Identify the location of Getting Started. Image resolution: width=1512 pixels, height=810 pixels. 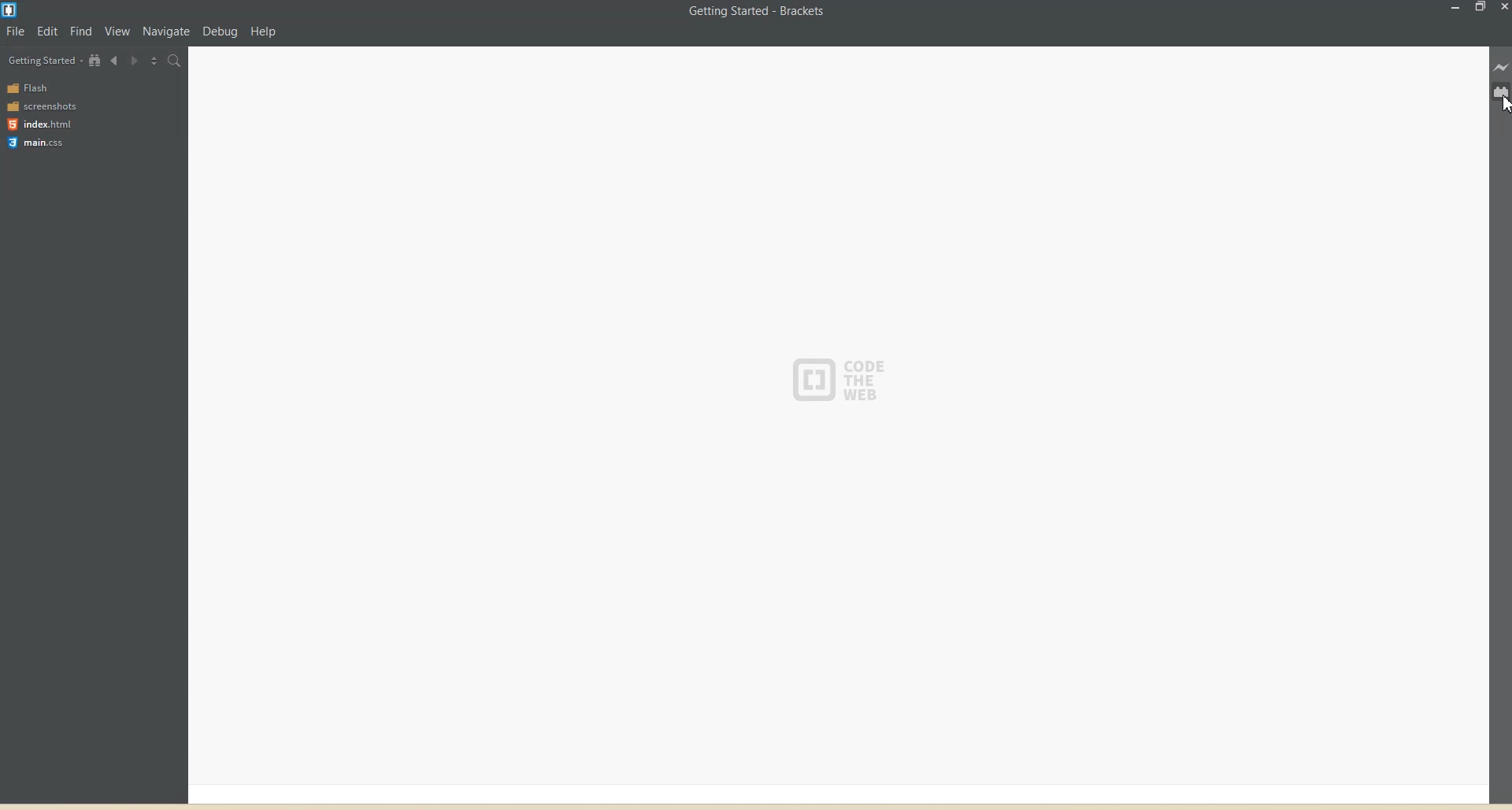
(45, 61).